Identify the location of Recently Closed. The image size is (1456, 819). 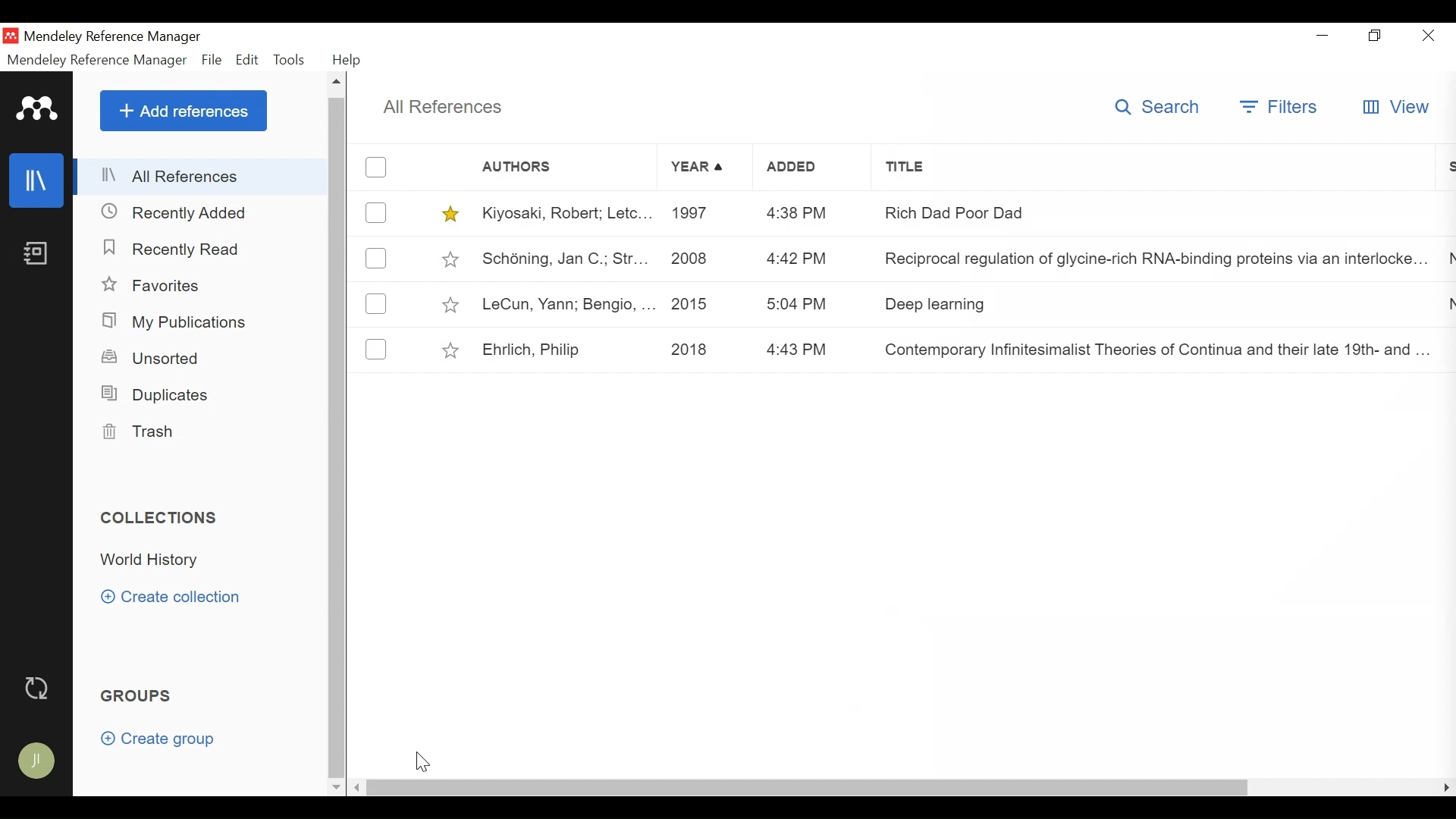
(175, 213).